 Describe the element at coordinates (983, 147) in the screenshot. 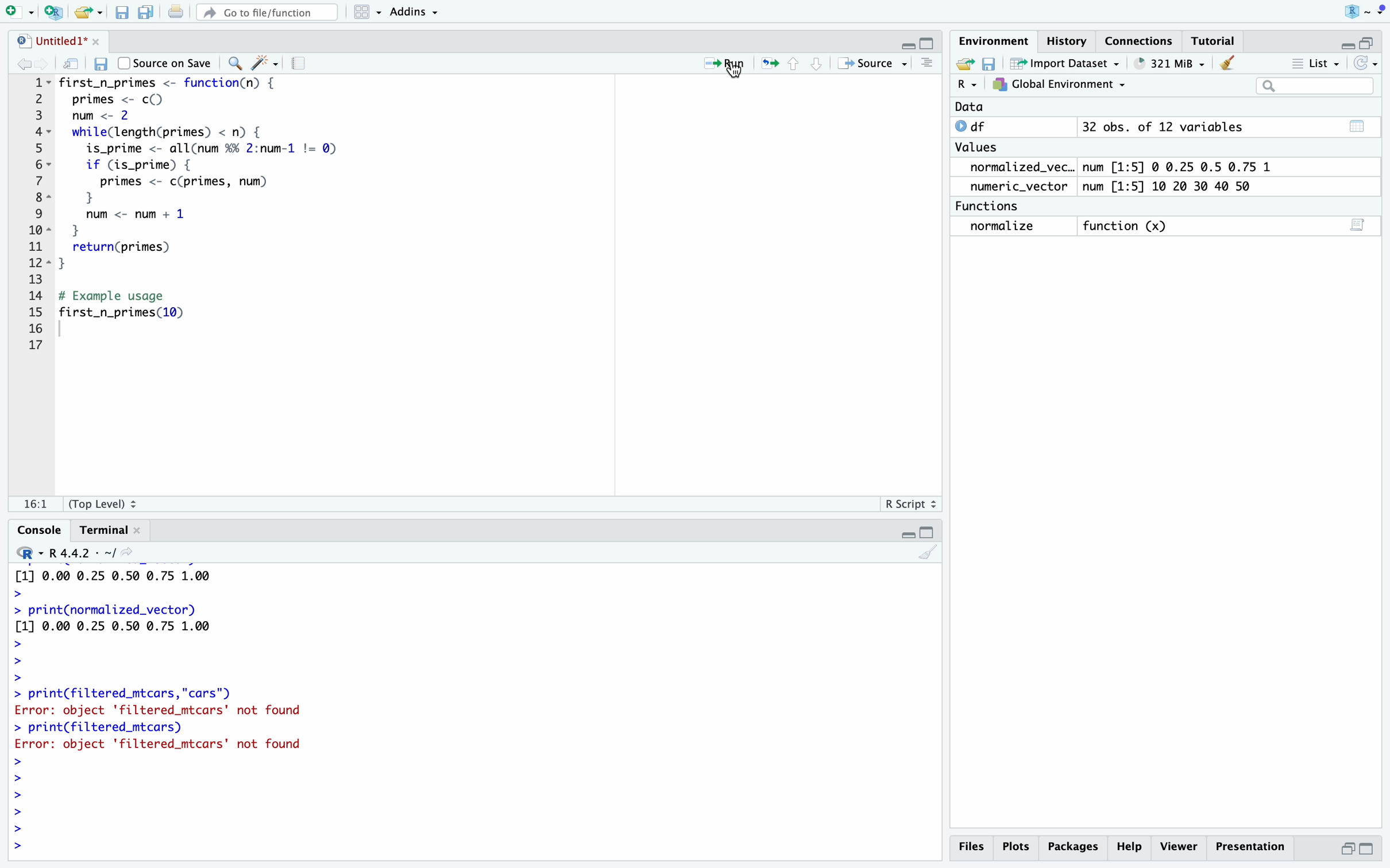

I see `Values` at that location.